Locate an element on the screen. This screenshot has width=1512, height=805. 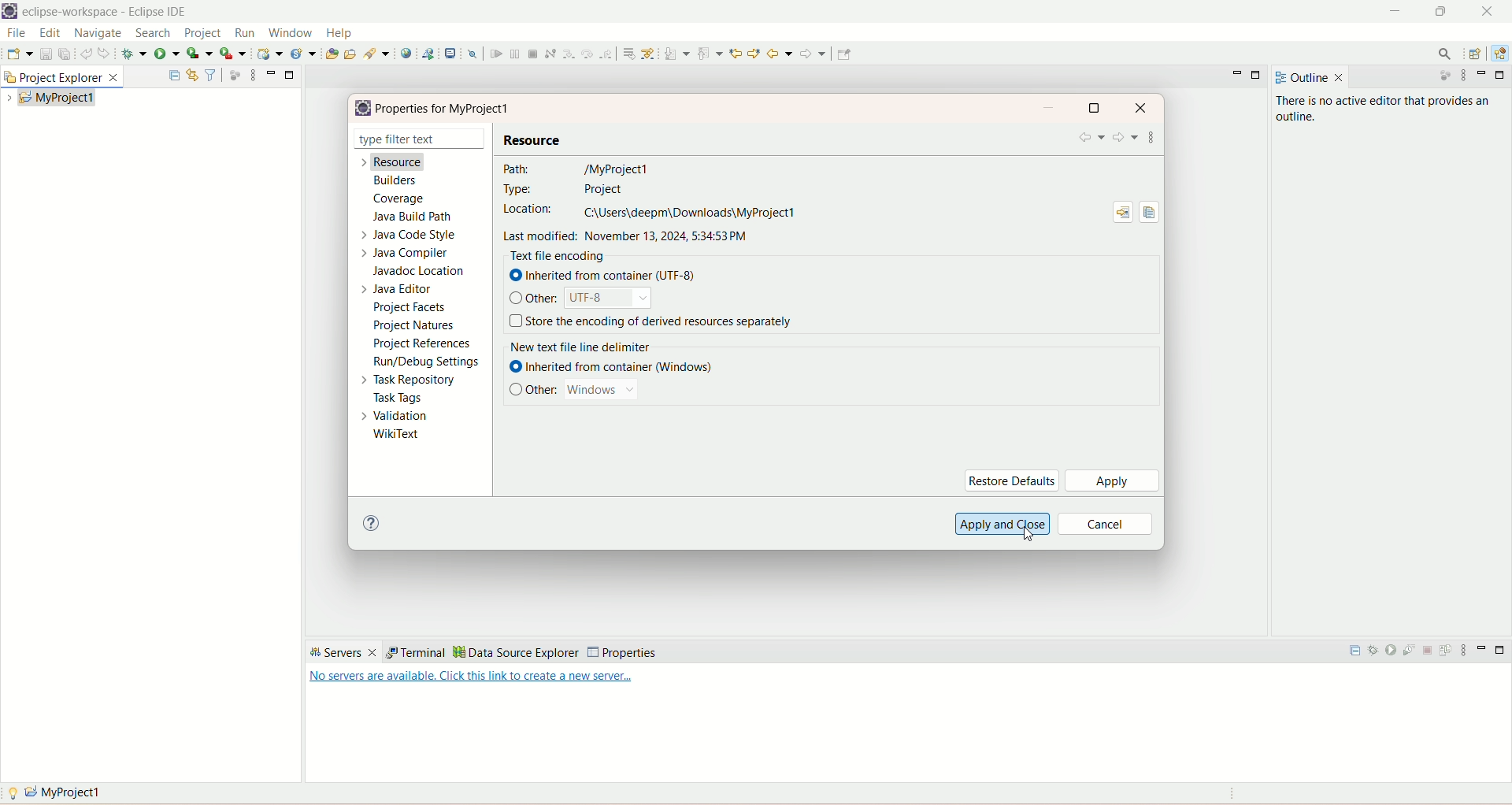
maximize is located at coordinates (1440, 13).